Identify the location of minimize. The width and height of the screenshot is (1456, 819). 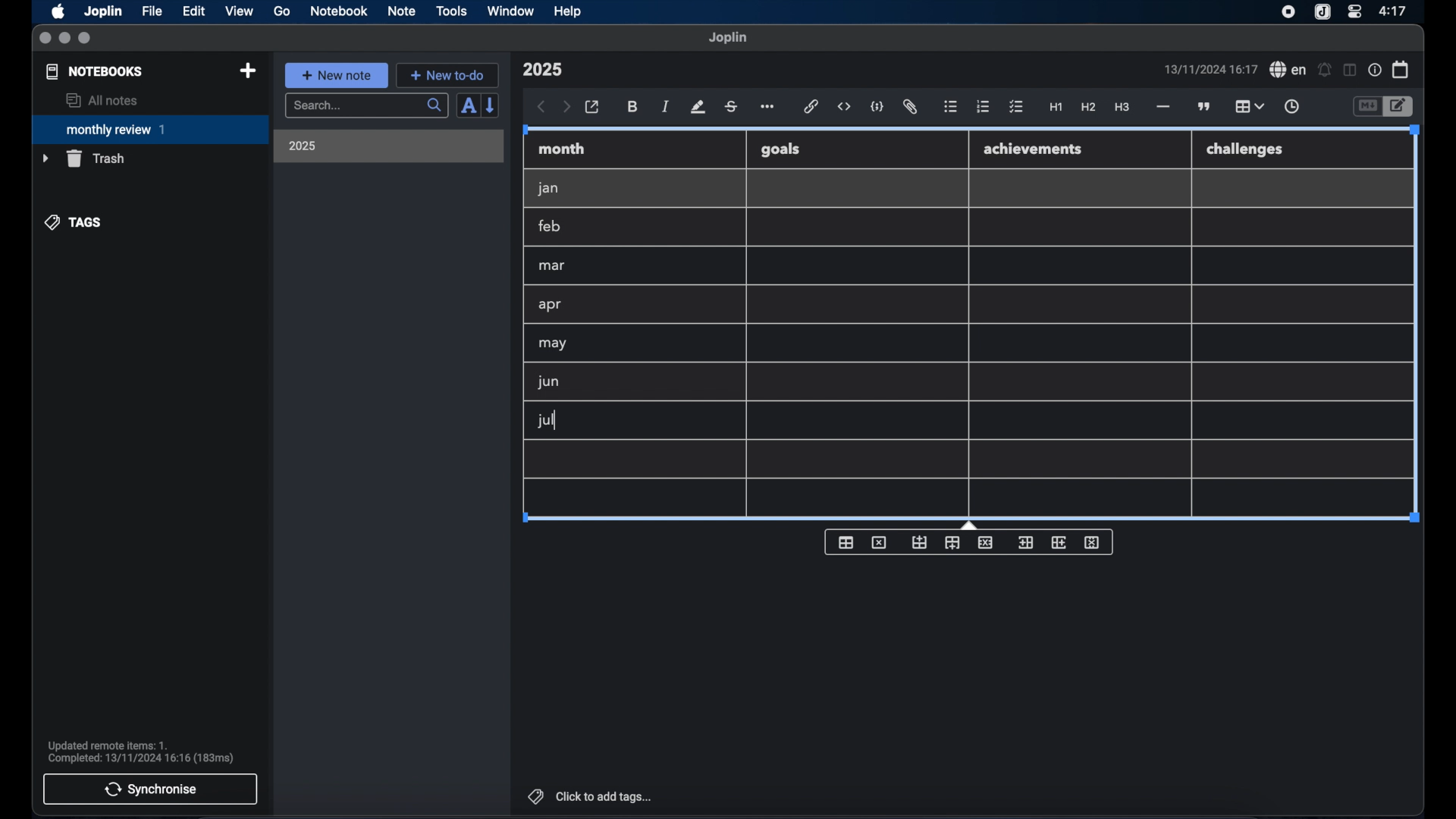
(64, 39).